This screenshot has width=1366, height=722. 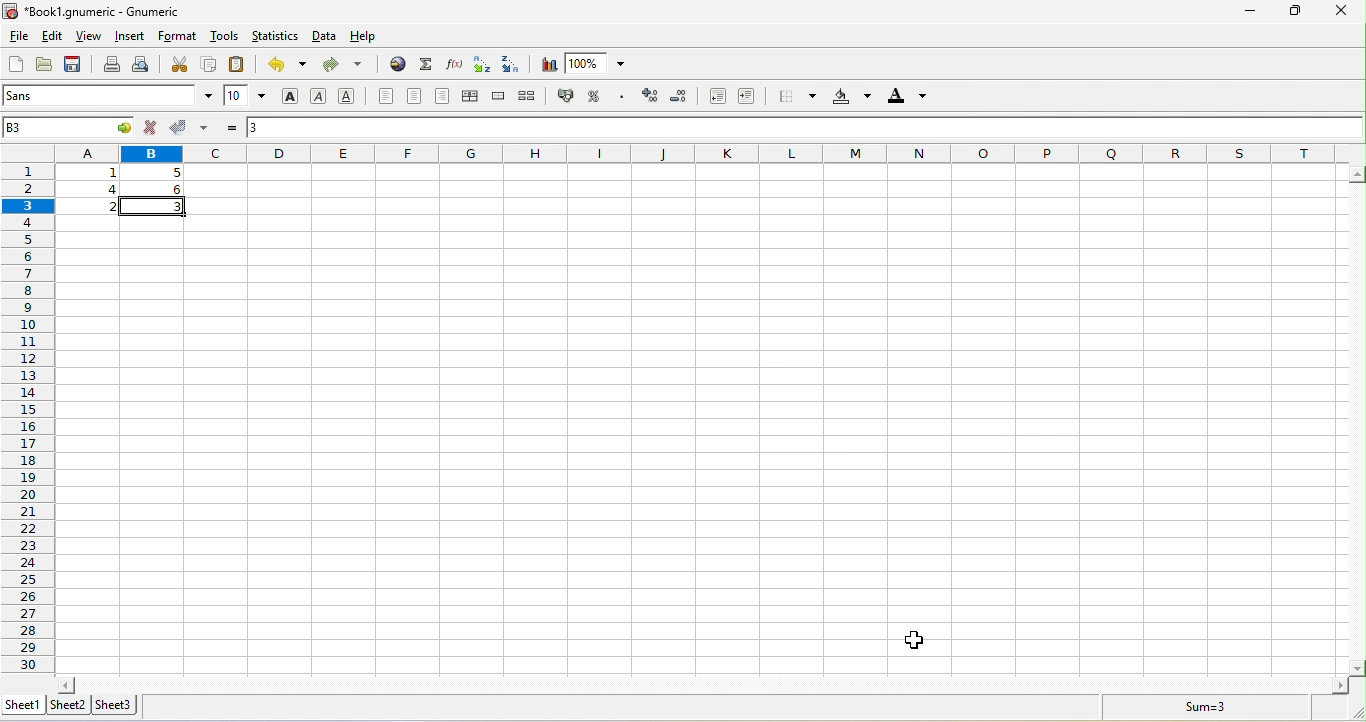 I want to click on b3, so click(x=66, y=127).